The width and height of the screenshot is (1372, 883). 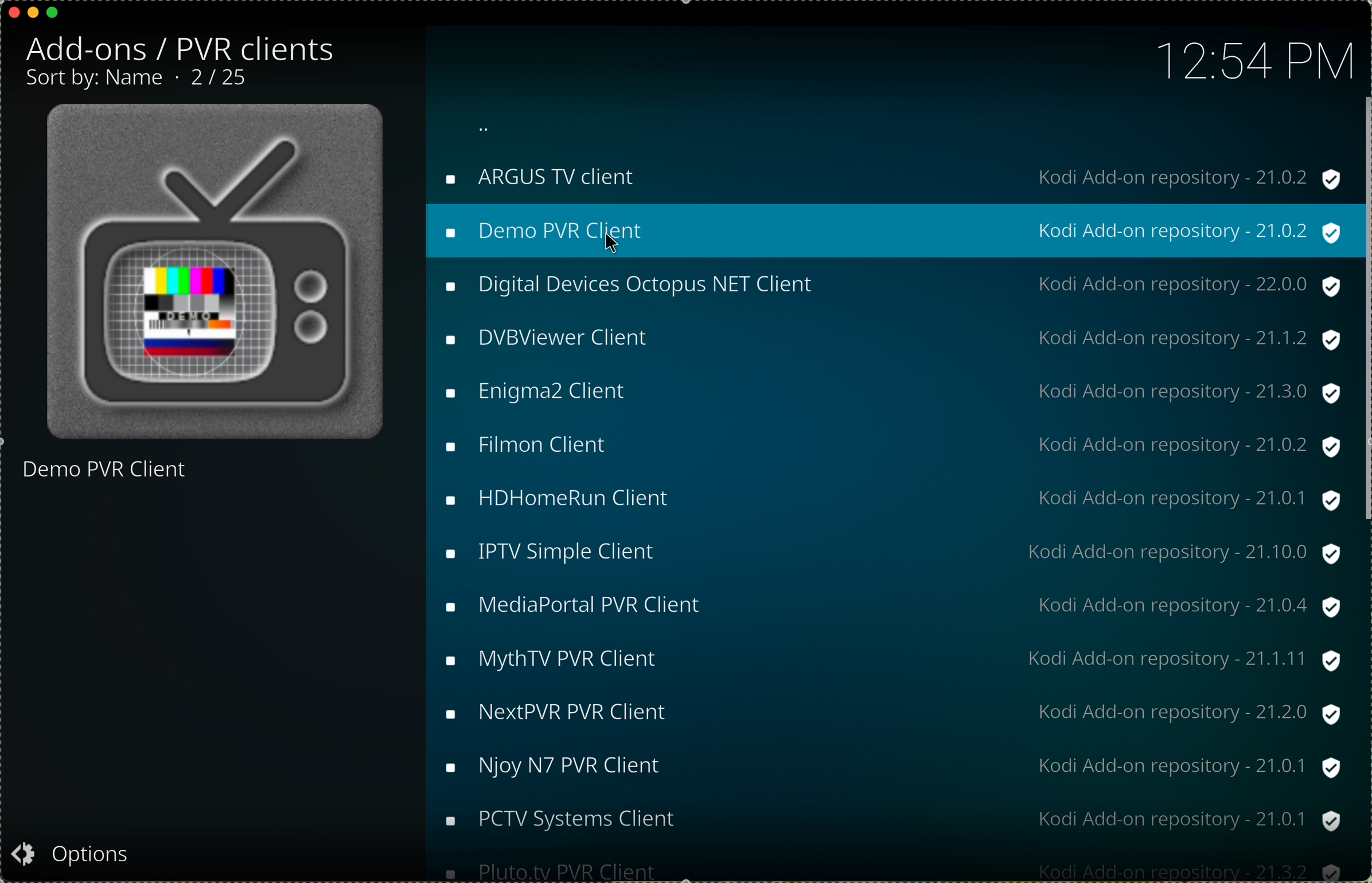 I want to click on bullet points, so click(x=447, y=525).